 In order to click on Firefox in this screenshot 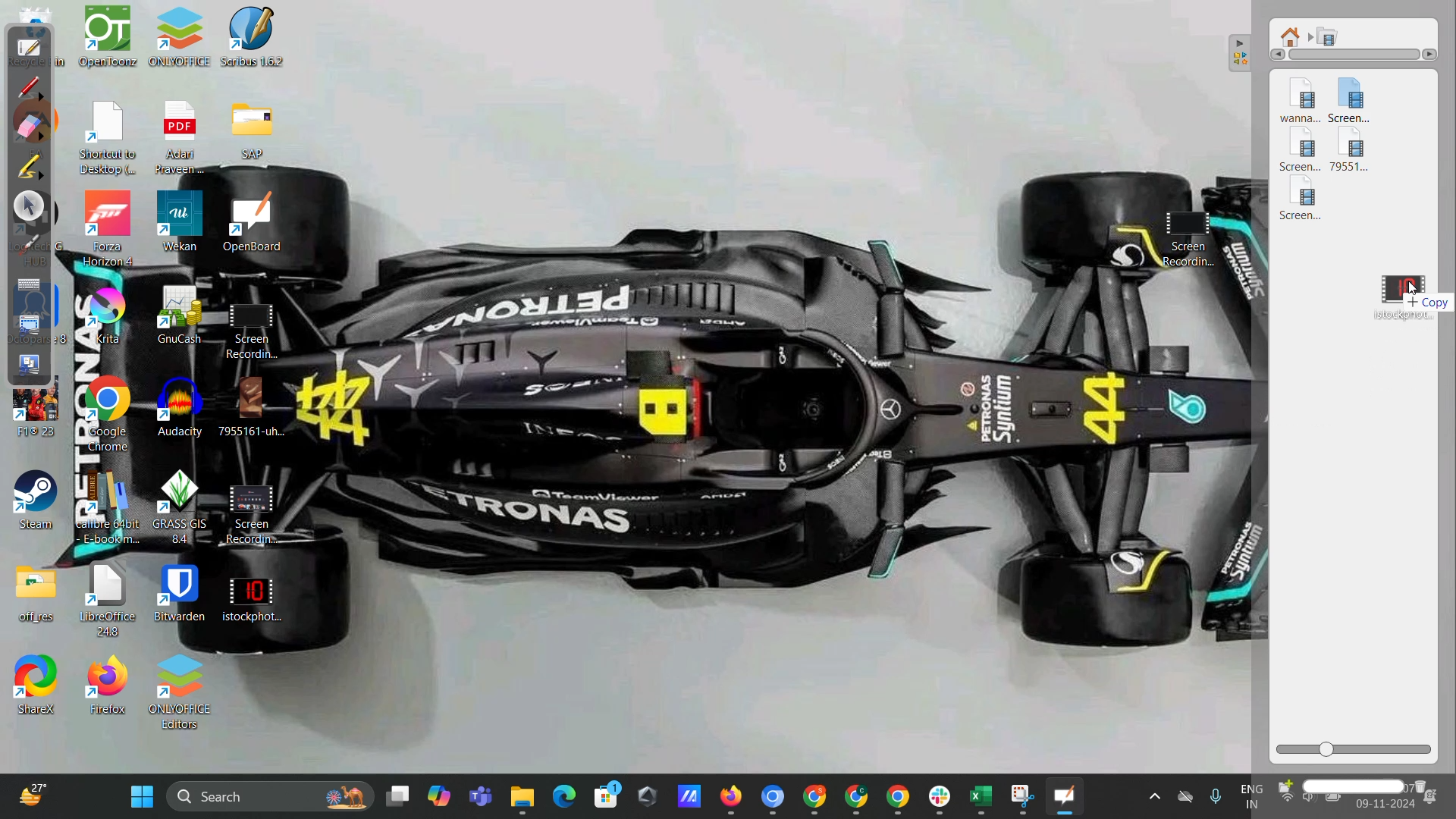, I will do `click(111, 686)`.